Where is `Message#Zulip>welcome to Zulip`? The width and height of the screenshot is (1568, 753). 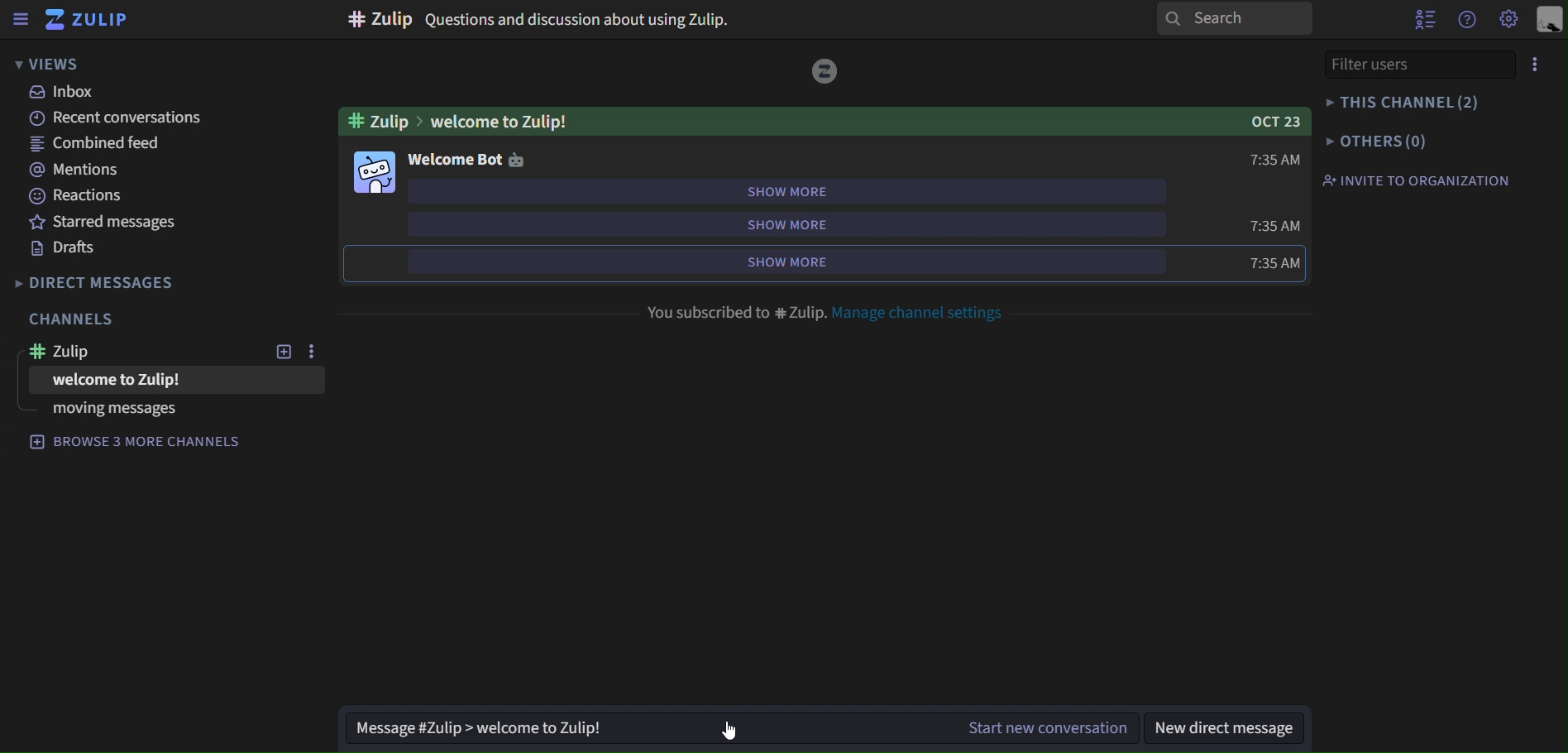 Message#Zulip>welcome to Zulip is located at coordinates (481, 727).